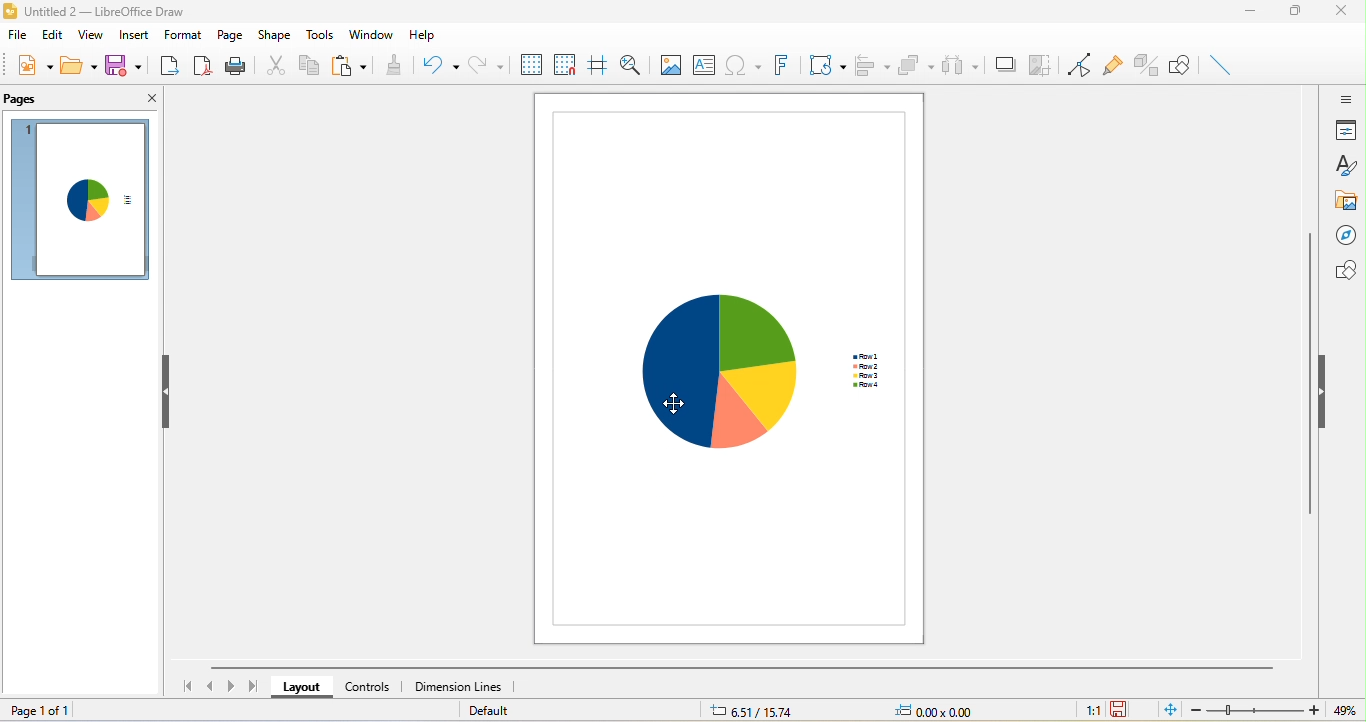 Image resolution: width=1366 pixels, height=722 pixels. I want to click on gluepoint functions, so click(1114, 65).